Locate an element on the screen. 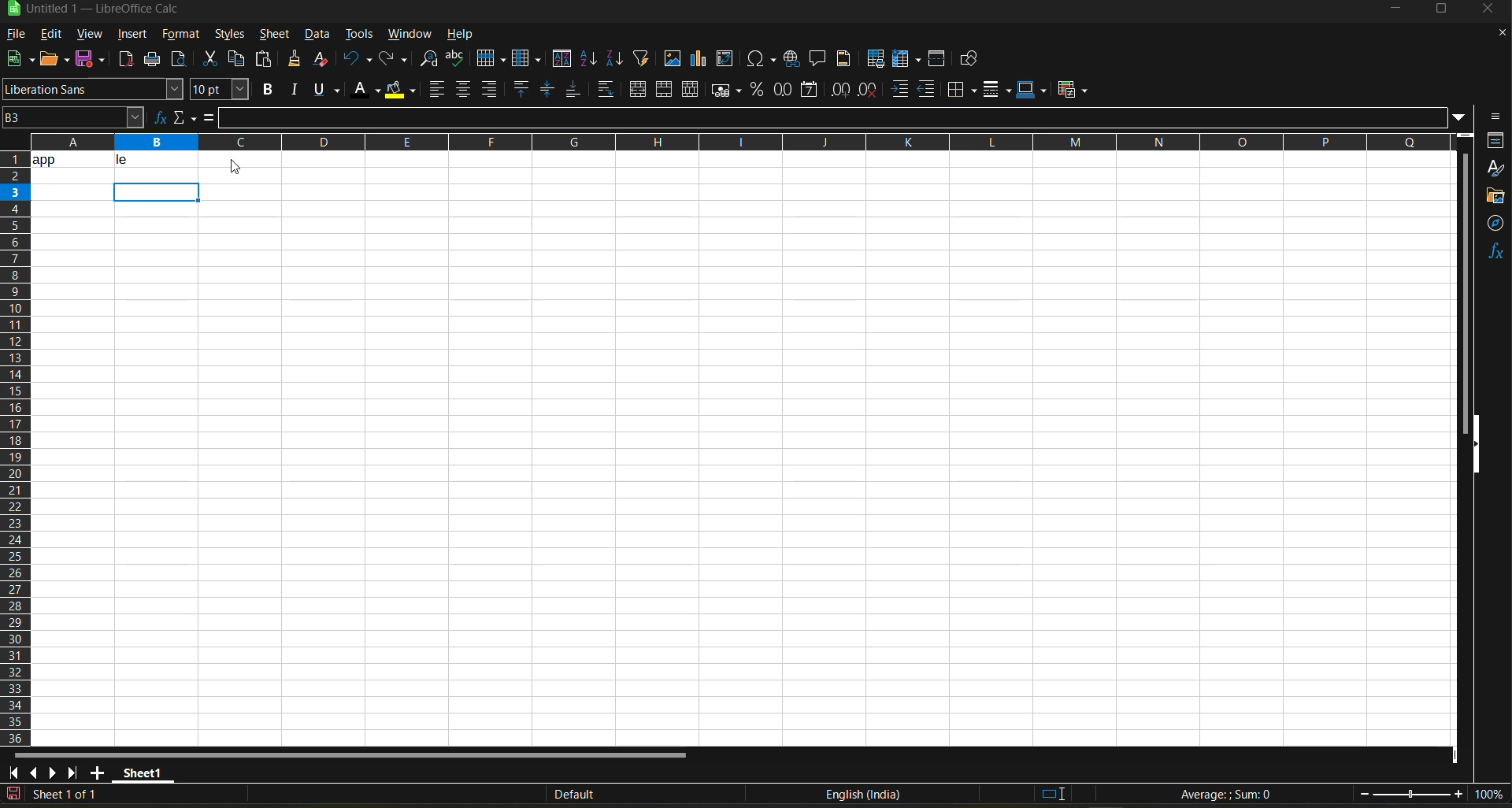 This screenshot has height=808, width=1512. formula is located at coordinates (1231, 796).